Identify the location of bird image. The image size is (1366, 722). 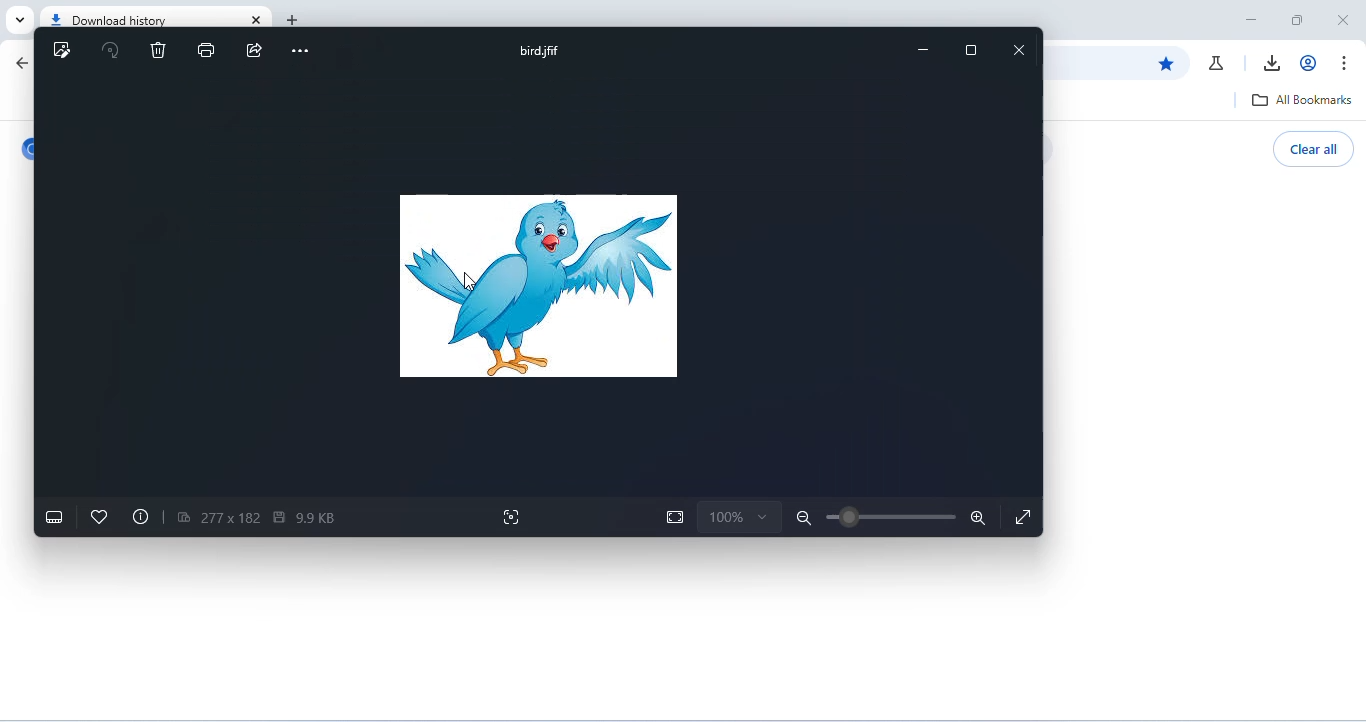
(540, 289).